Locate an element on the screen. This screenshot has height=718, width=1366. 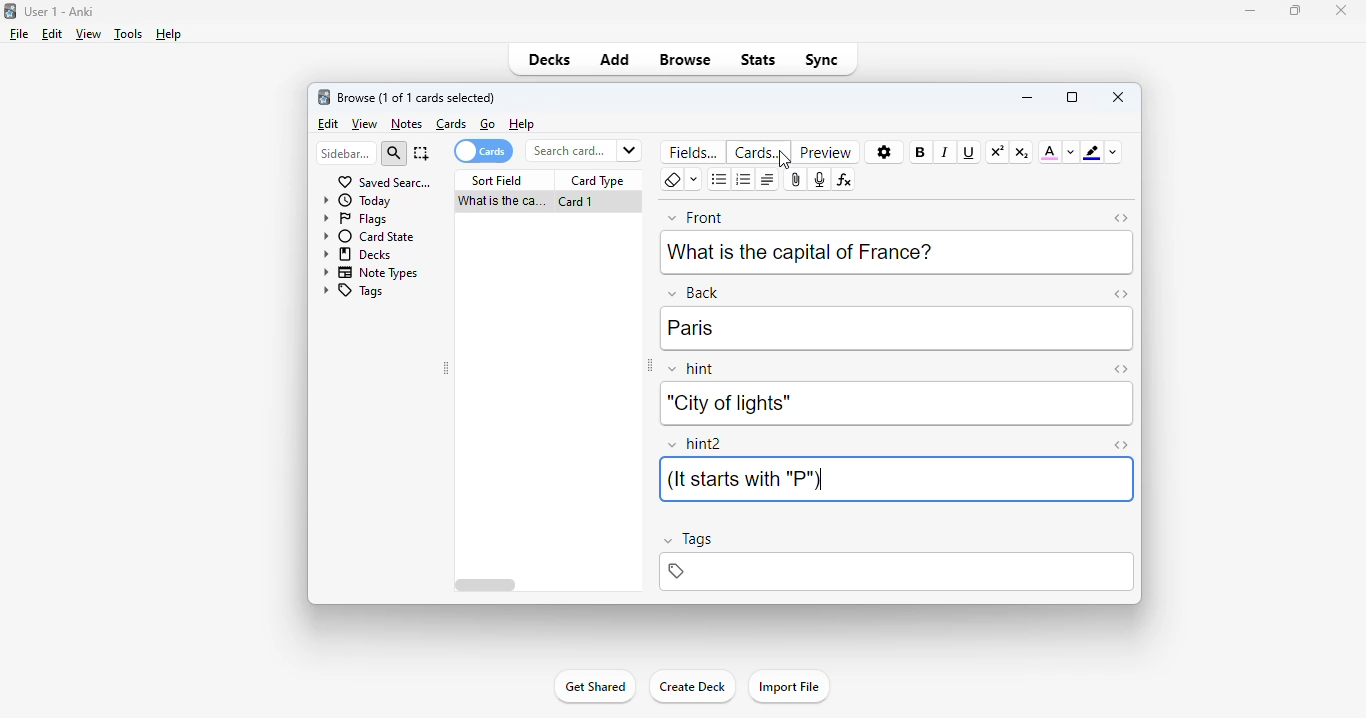
toggle sidebar is located at coordinates (447, 369).